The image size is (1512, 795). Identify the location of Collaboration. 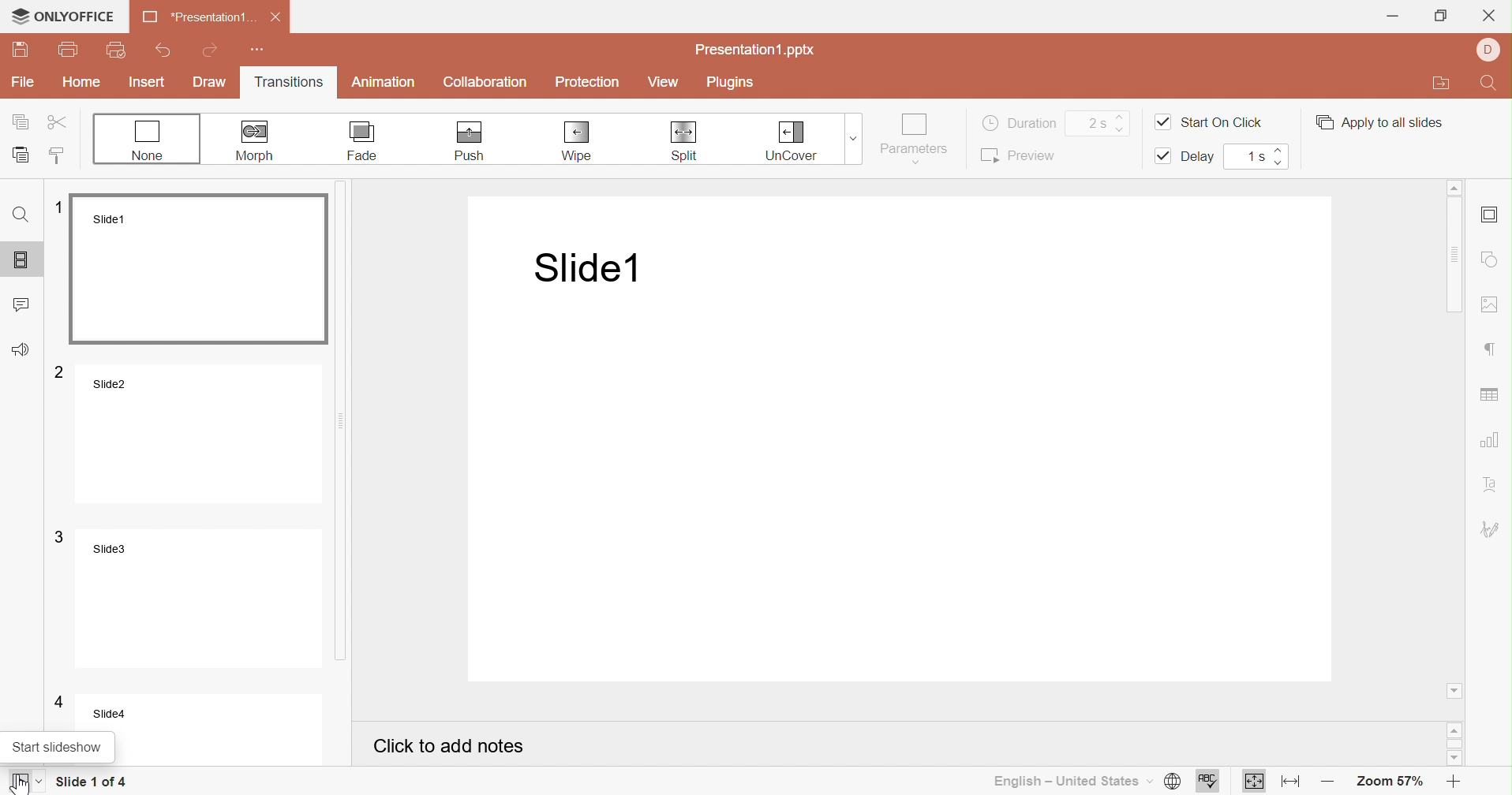
(488, 82).